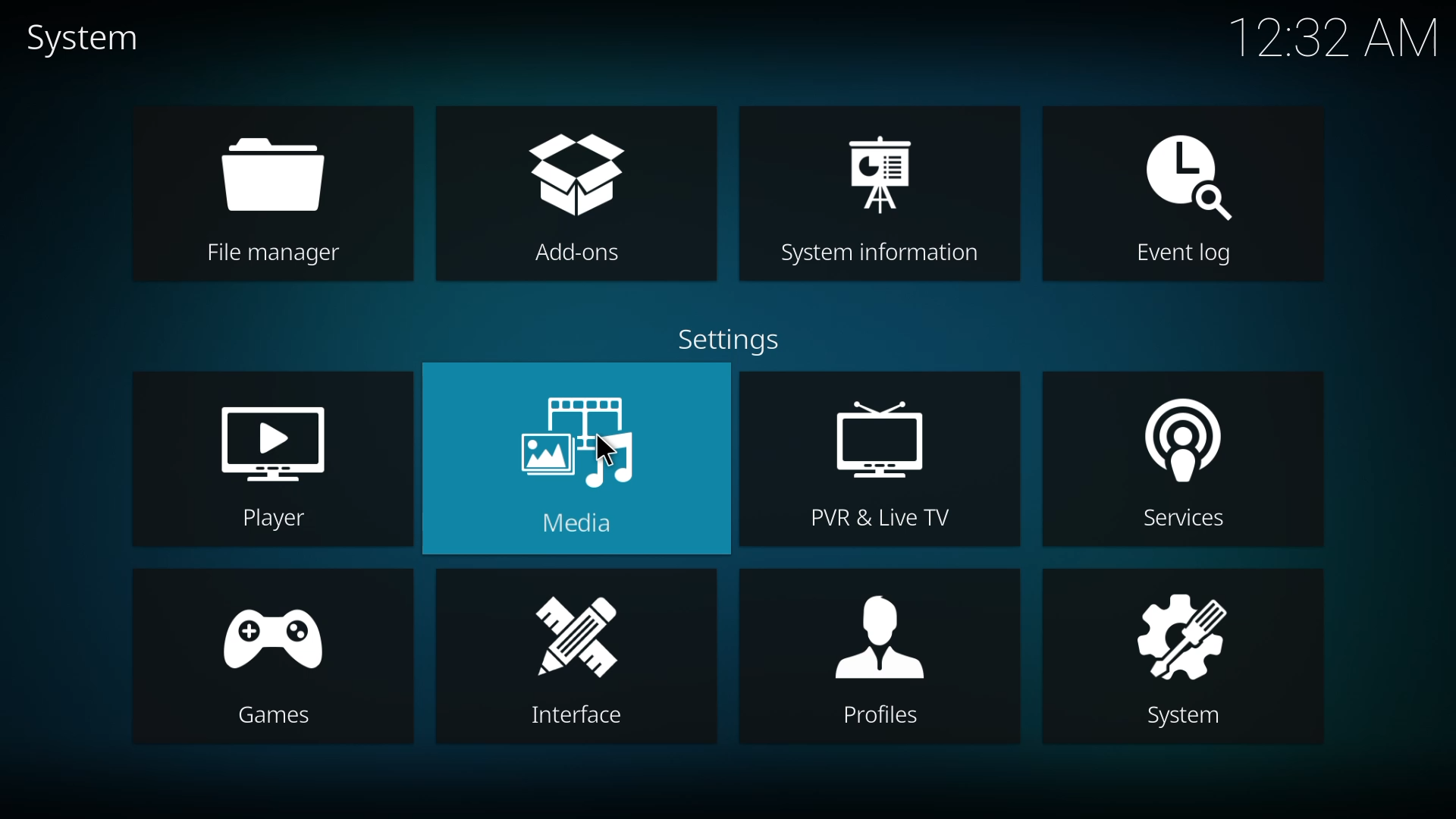 This screenshot has height=819, width=1456. What do you see at coordinates (606, 450) in the screenshot?
I see `cursor` at bounding box center [606, 450].